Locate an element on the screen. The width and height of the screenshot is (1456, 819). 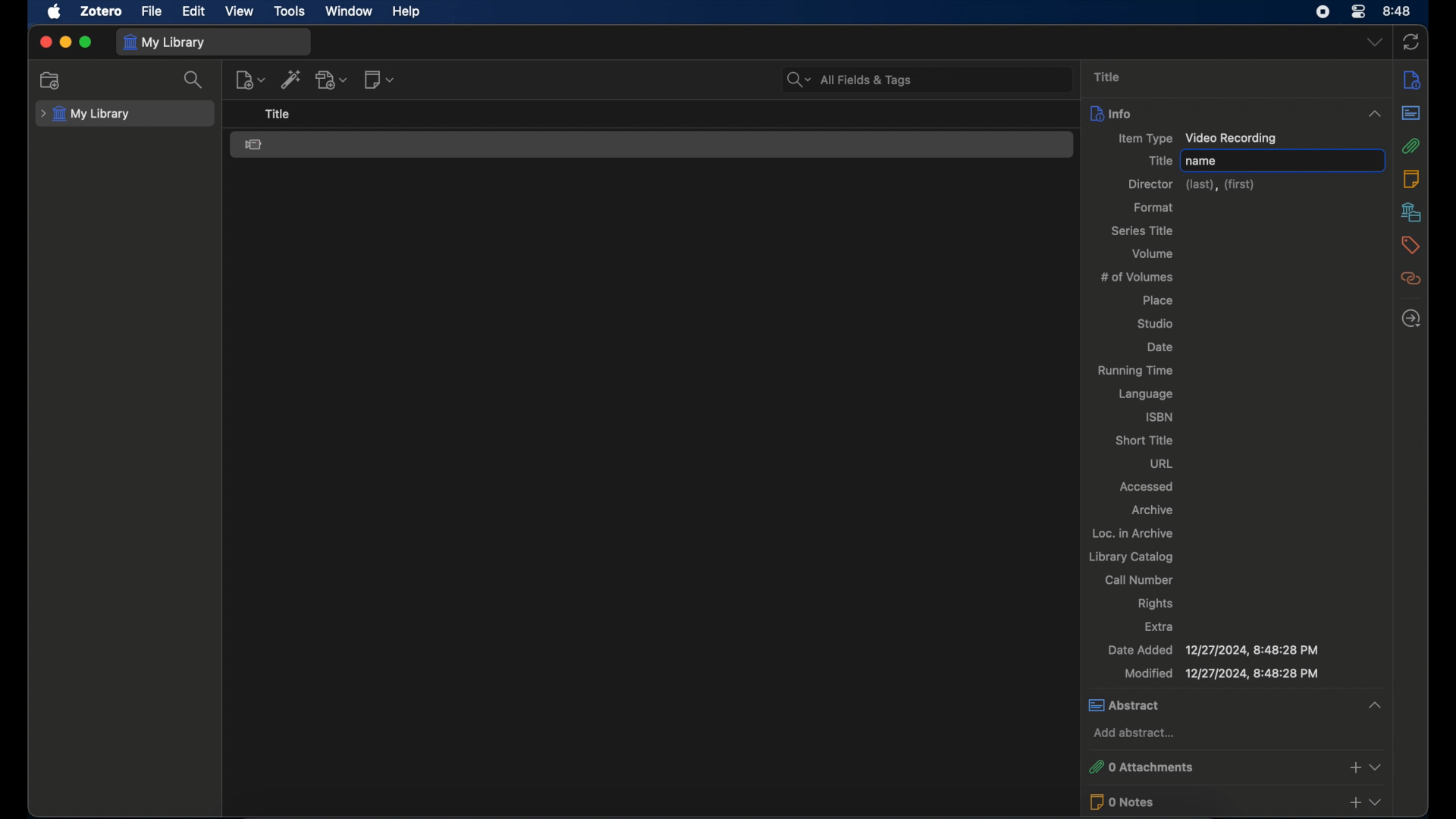
0 attachments is located at coordinates (1212, 765).